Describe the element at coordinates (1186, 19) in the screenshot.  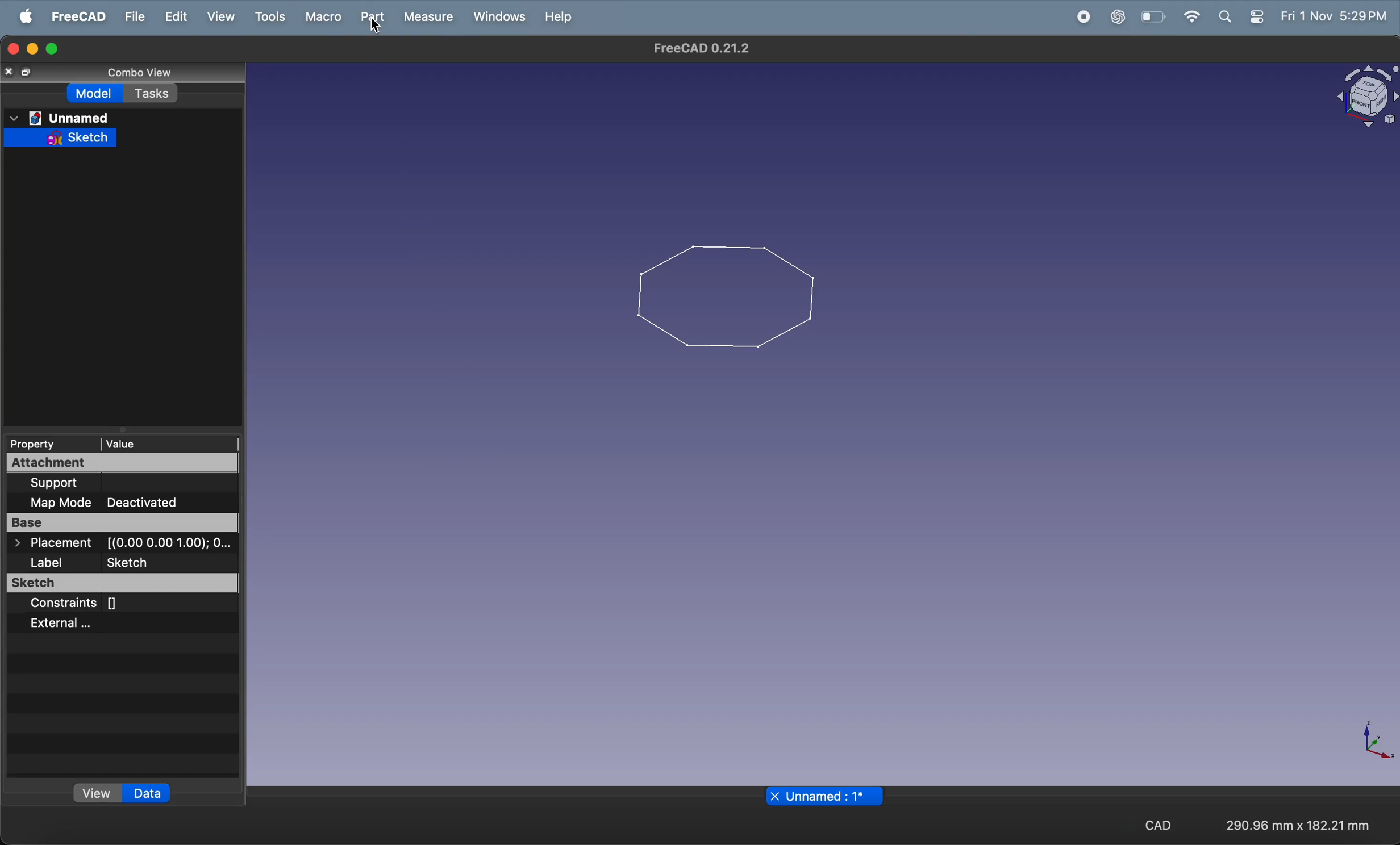
I see `wifi` at that location.